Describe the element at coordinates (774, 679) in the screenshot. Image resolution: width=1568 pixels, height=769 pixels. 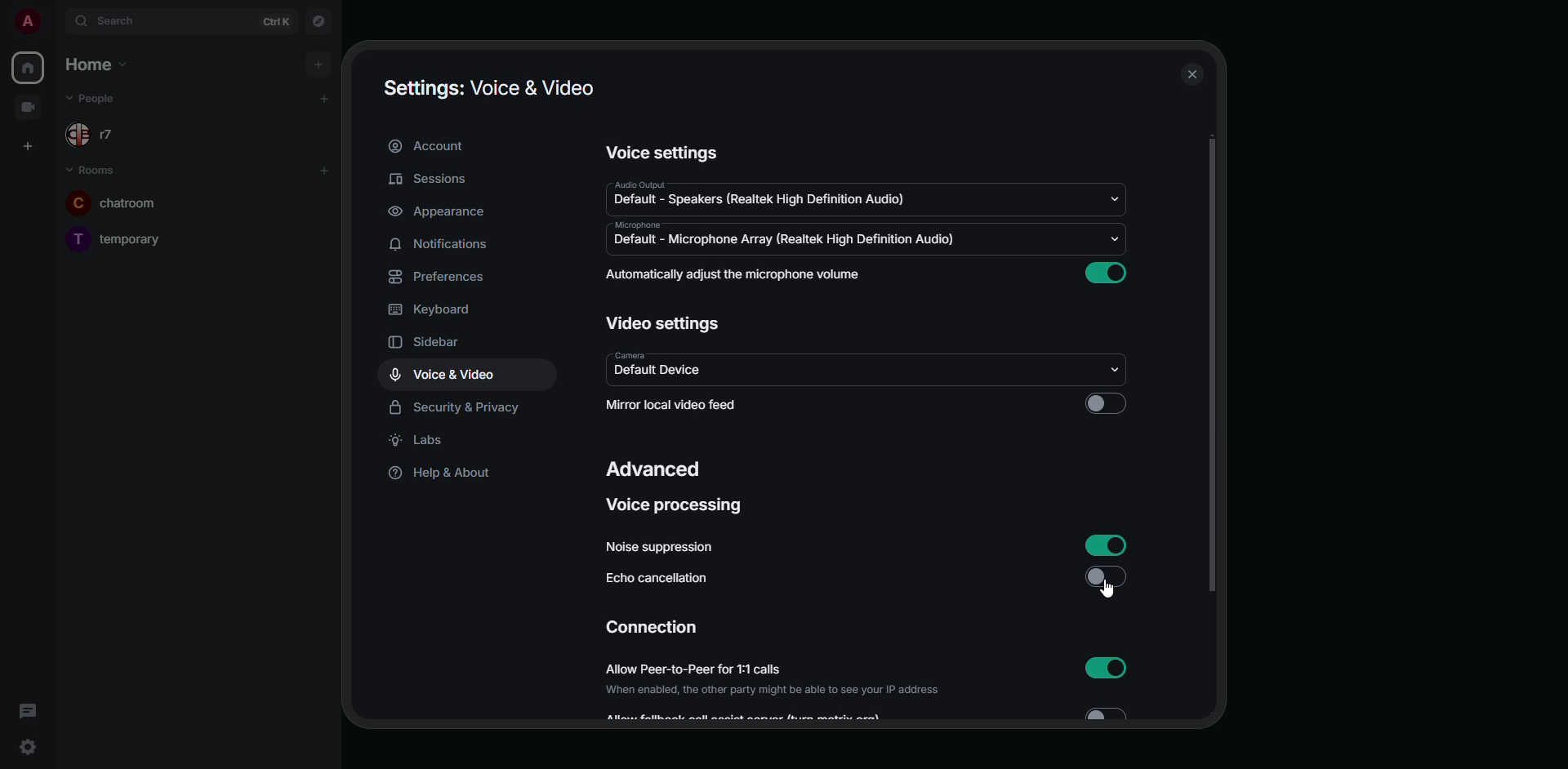
I see `allow peer-to-peer for 1:1 calls` at that location.